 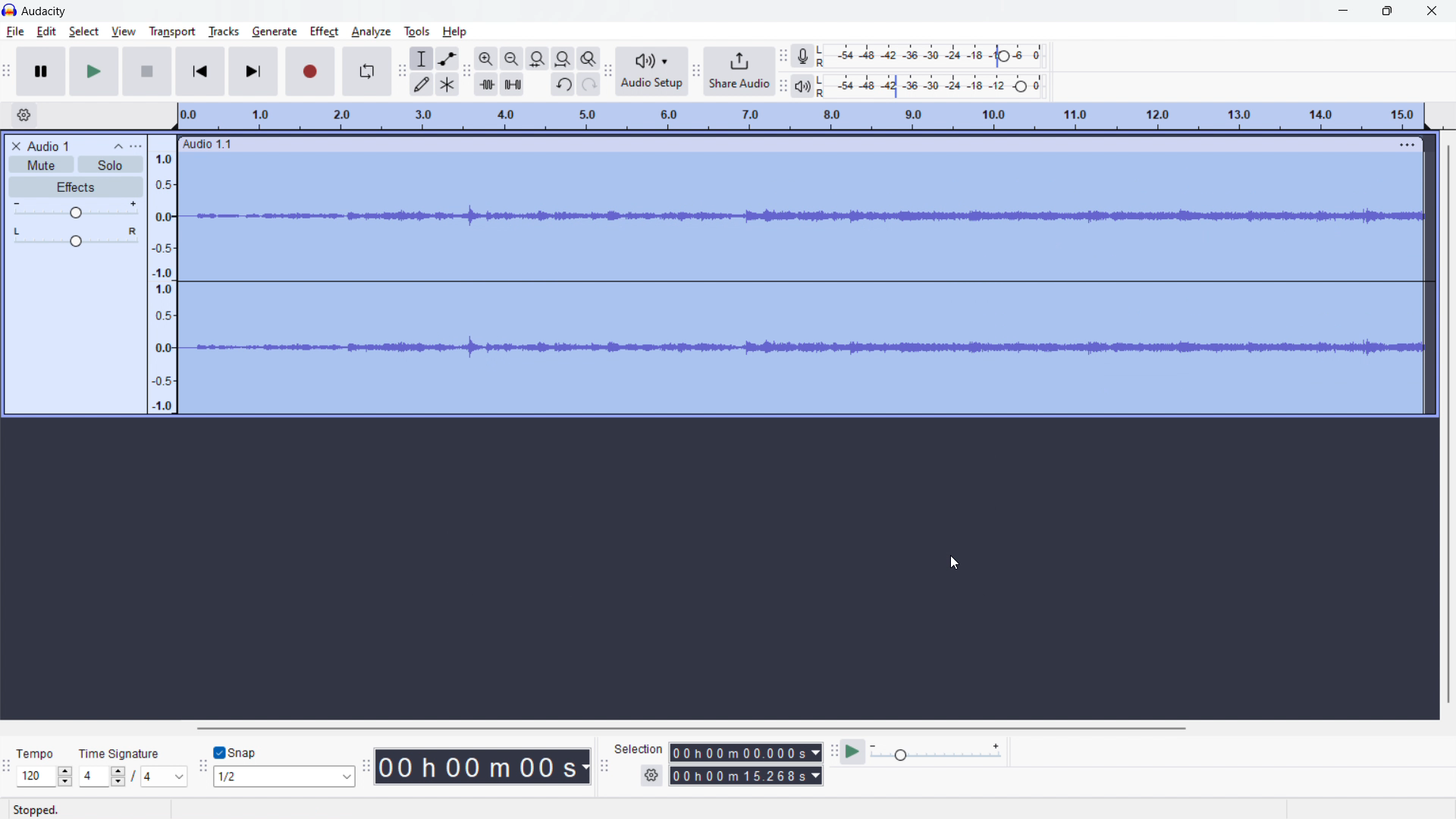 I want to click on generate, so click(x=275, y=32).